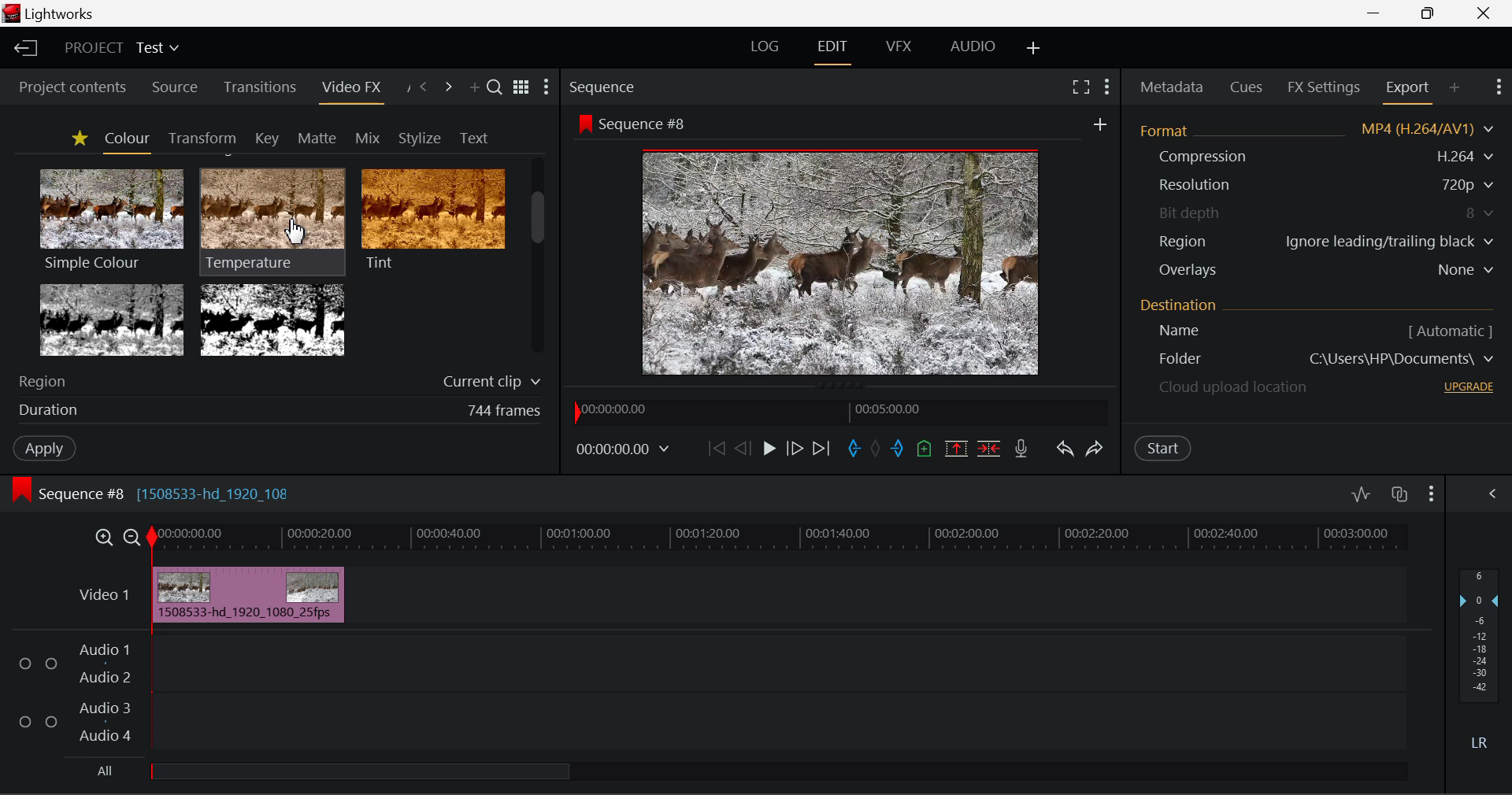 The image size is (1512, 795). Describe the element at coordinates (50, 720) in the screenshot. I see `Checkbox` at that location.